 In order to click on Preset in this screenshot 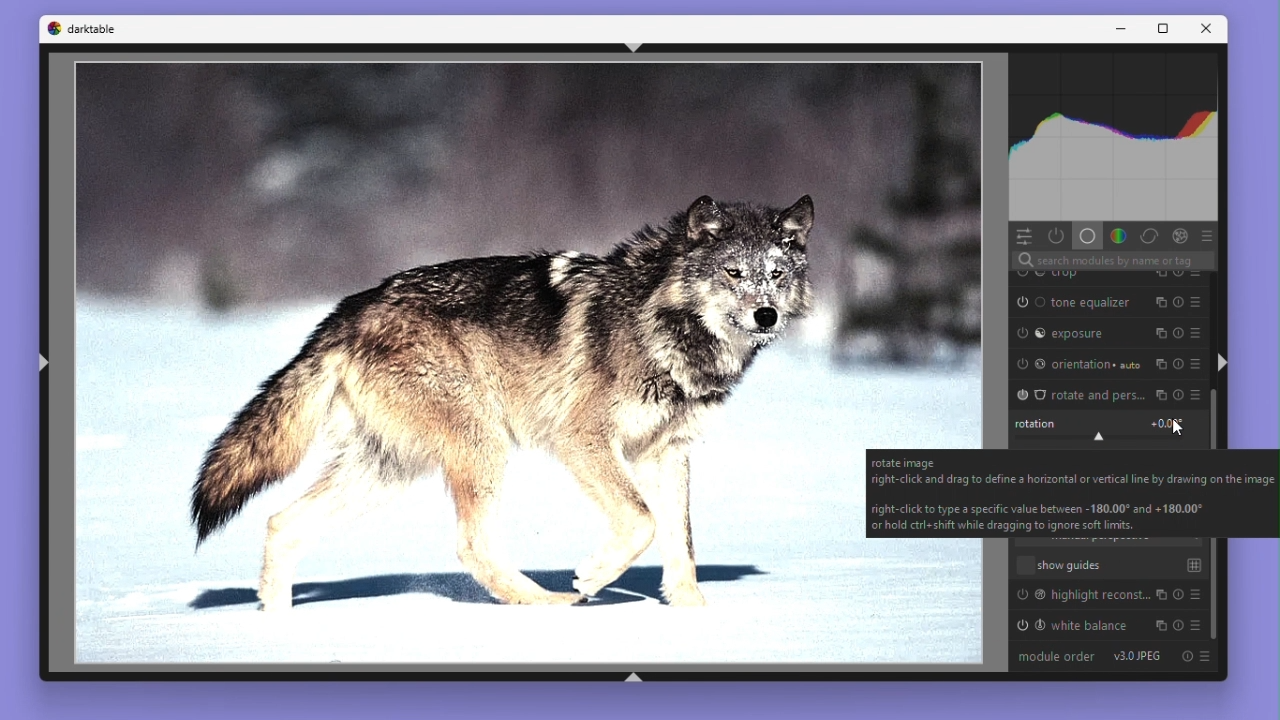, I will do `click(1208, 661)`.